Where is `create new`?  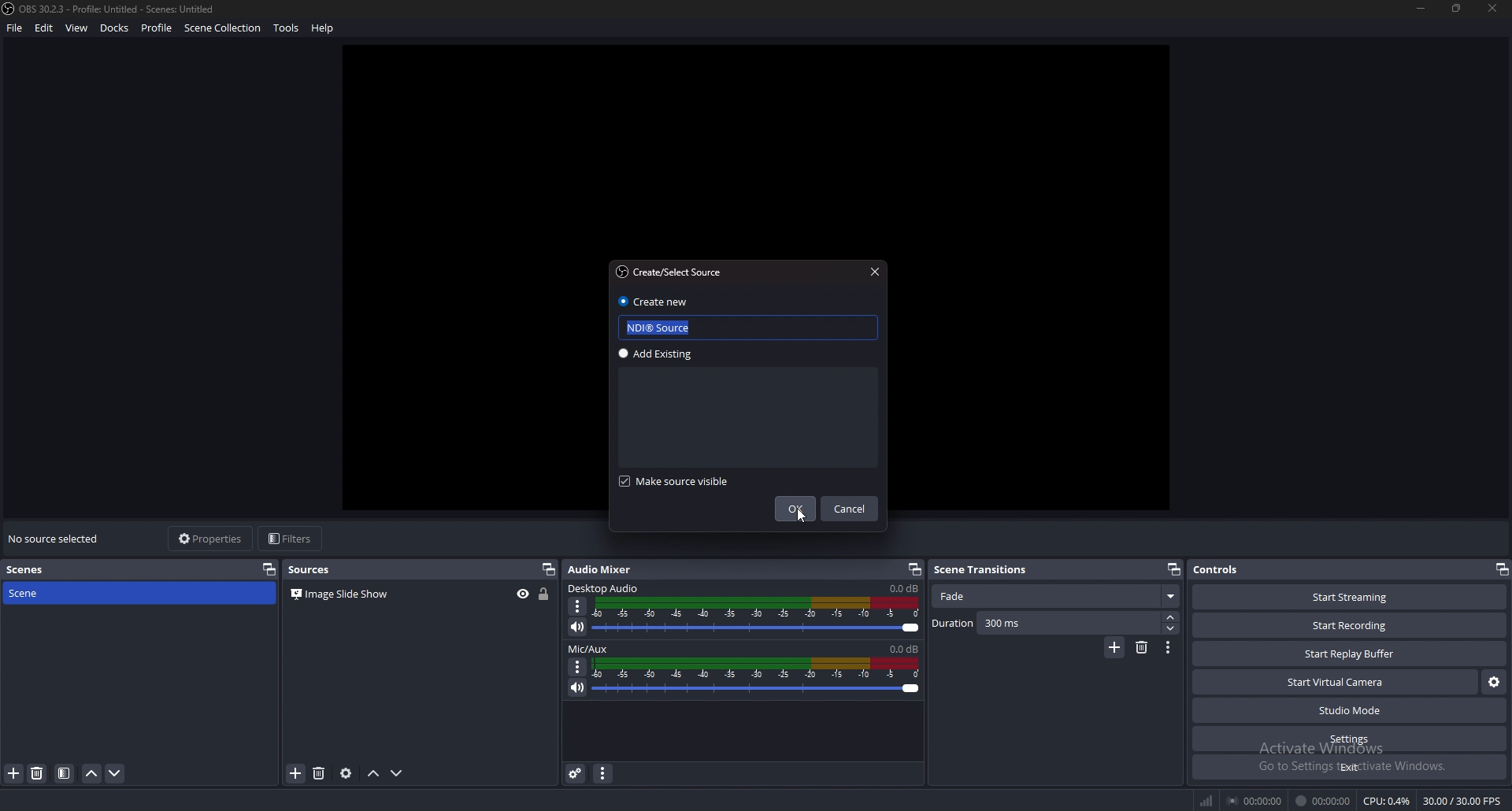
create new is located at coordinates (654, 301).